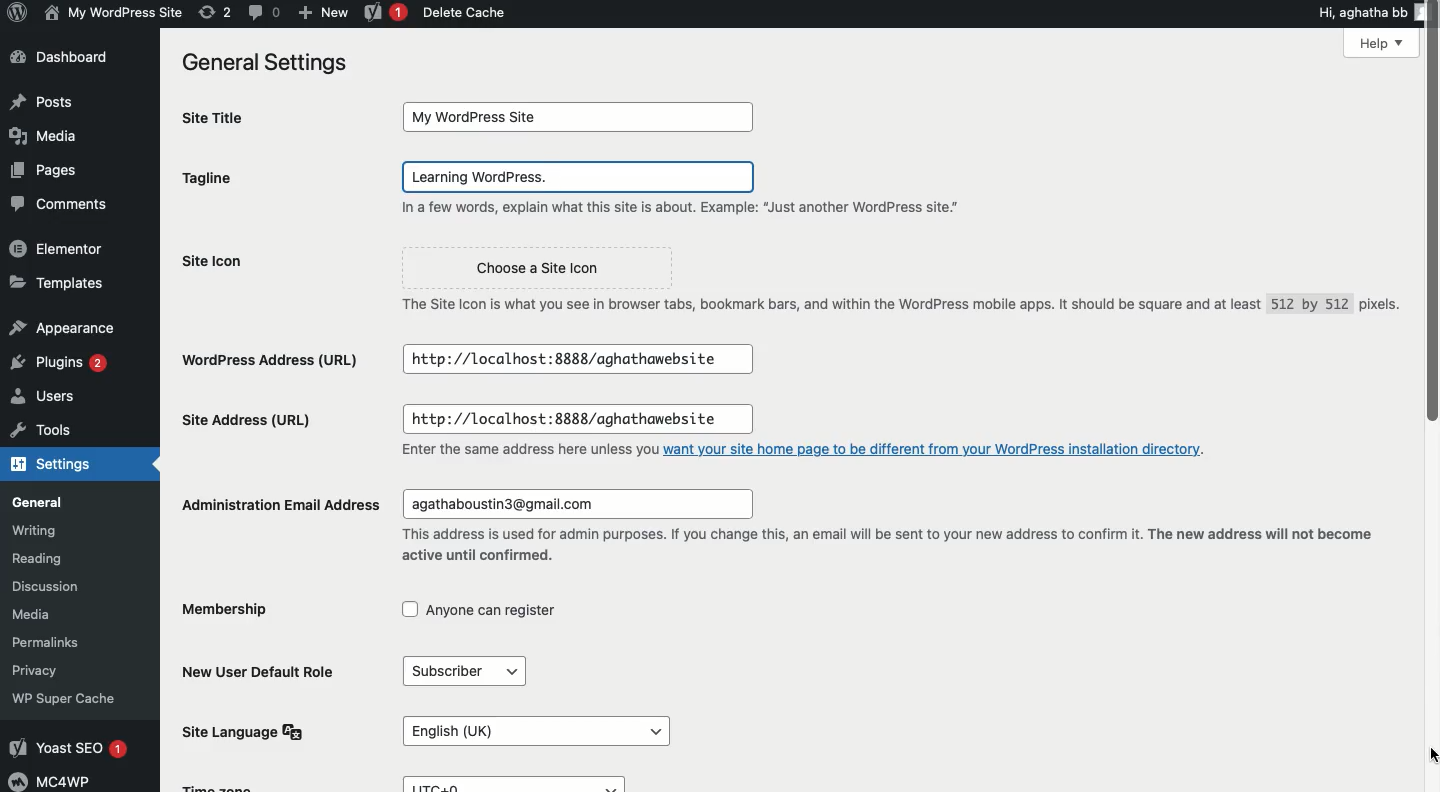 Image resolution: width=1440 pixels, height=792 pixels. What do you see at coordinates (582, 500) in the screenshot?
I see `agathaboustin3@gmail.com` at bounding box center [582, 500].